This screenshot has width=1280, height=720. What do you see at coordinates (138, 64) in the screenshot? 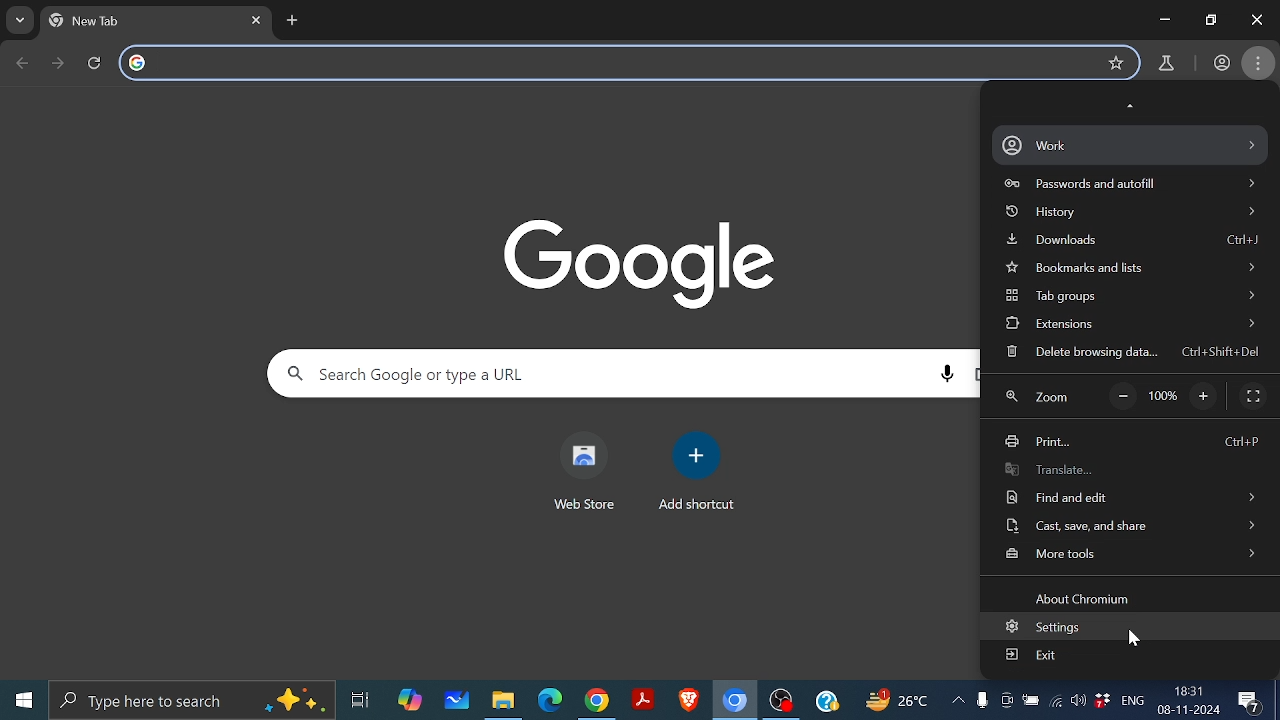
I see `google logo` at bounding box center [138, 64].